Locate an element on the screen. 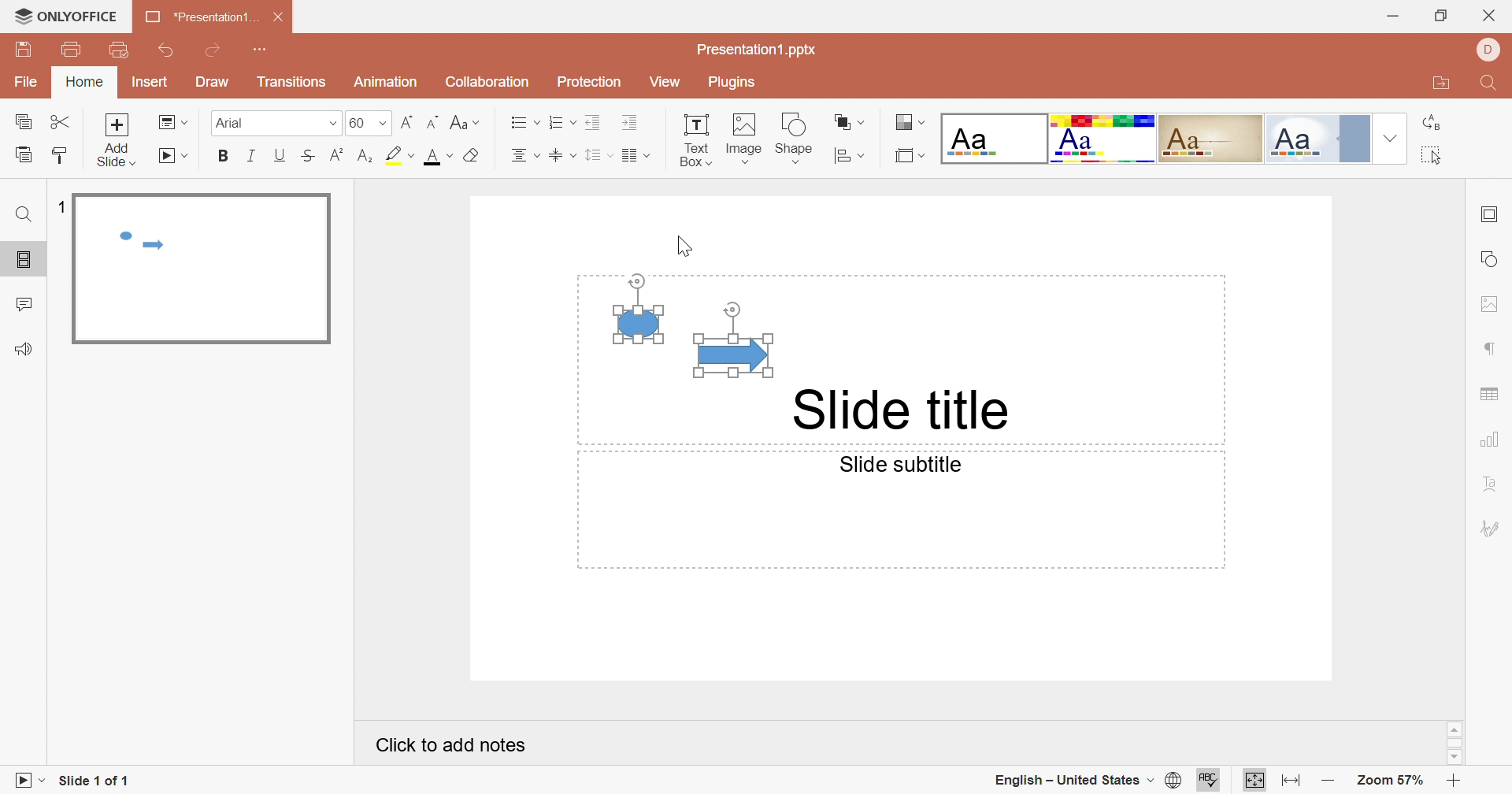 The height and width of the screenshot is (794, 1512). Insert columns is located at coordinates (636, 159).